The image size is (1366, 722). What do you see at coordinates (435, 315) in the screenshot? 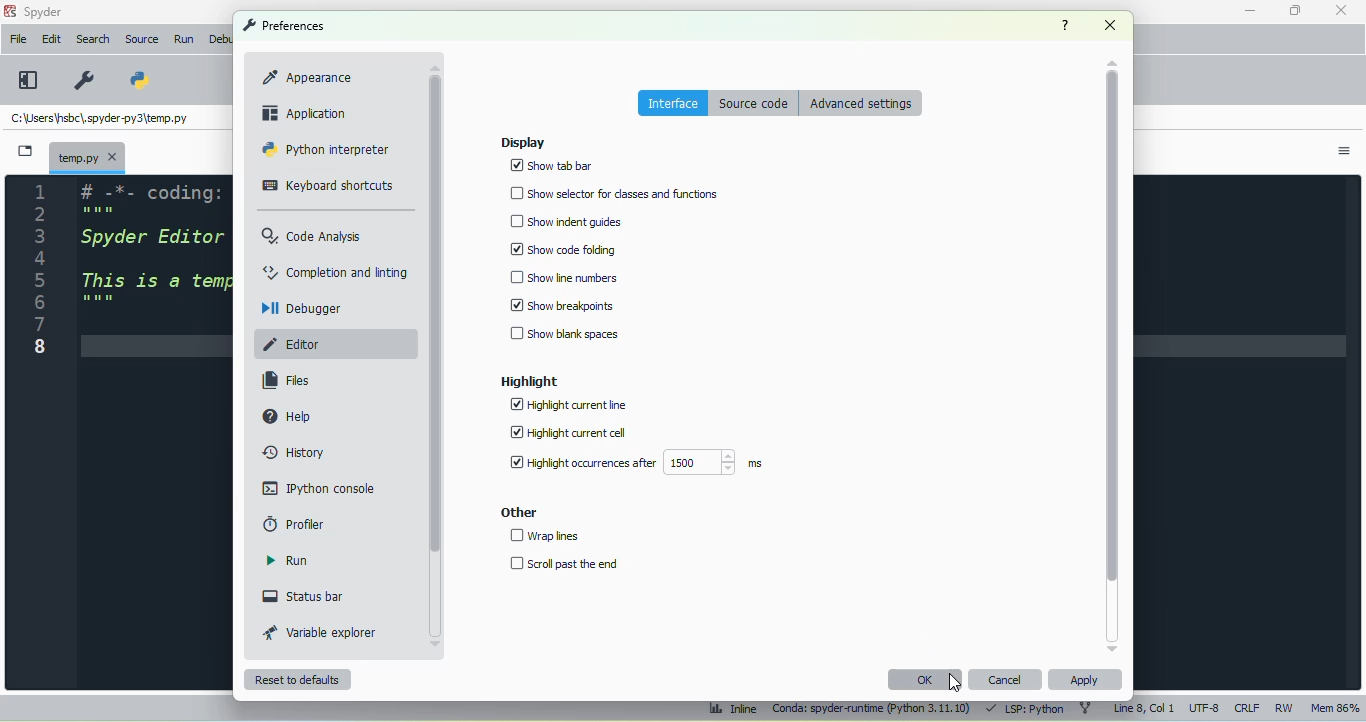
I see `vertical scroll bar` at bounding box center [435, 315].